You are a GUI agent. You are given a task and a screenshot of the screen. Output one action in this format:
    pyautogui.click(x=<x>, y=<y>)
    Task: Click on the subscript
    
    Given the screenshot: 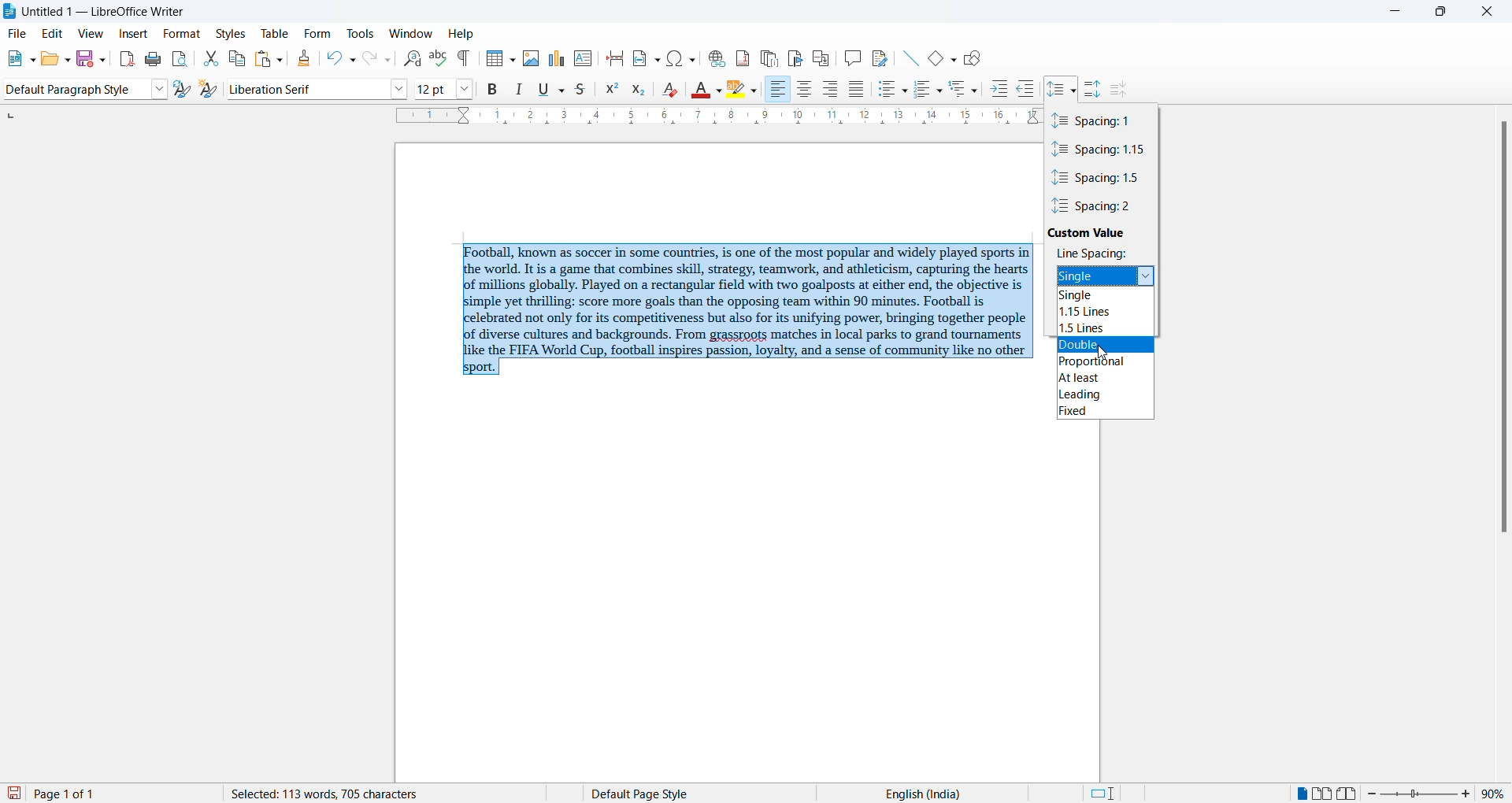 What is the action you would take?
    pyautogui.click(x=637, y=90)
    